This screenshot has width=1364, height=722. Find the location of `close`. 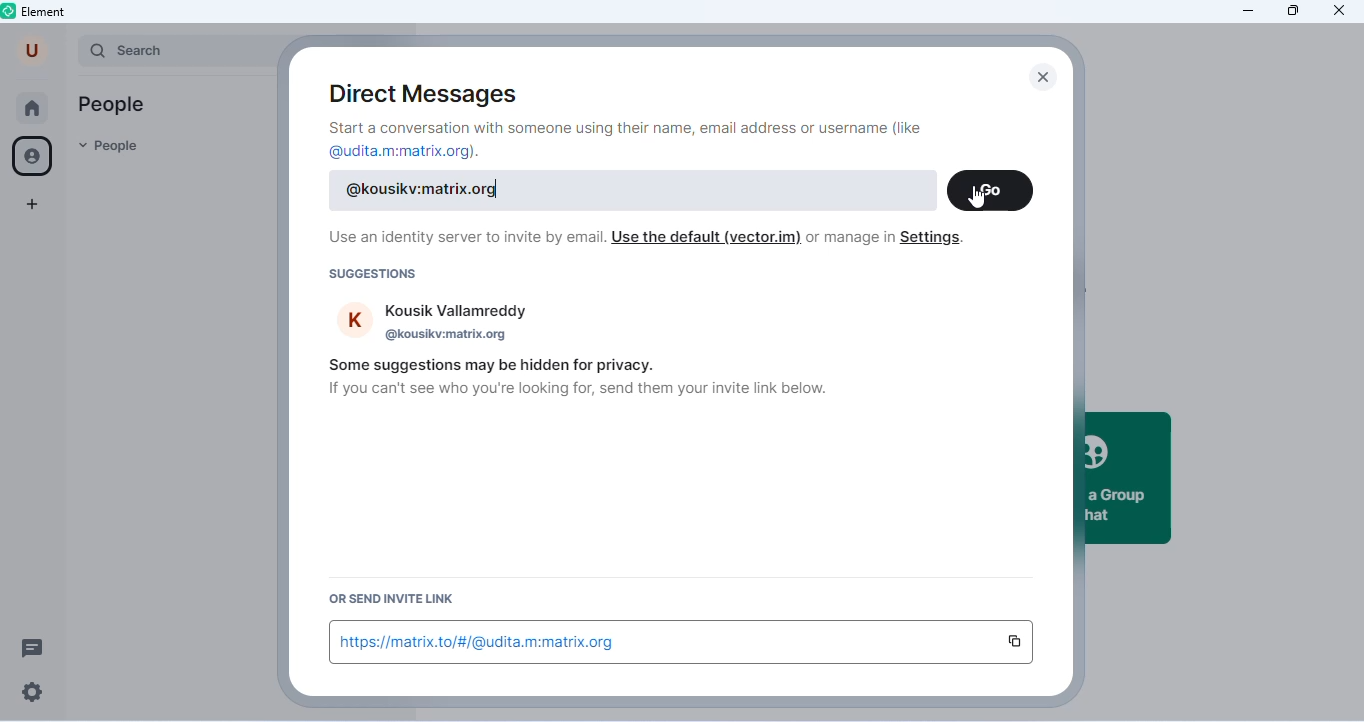

close is located at coordinates (1338, 11).